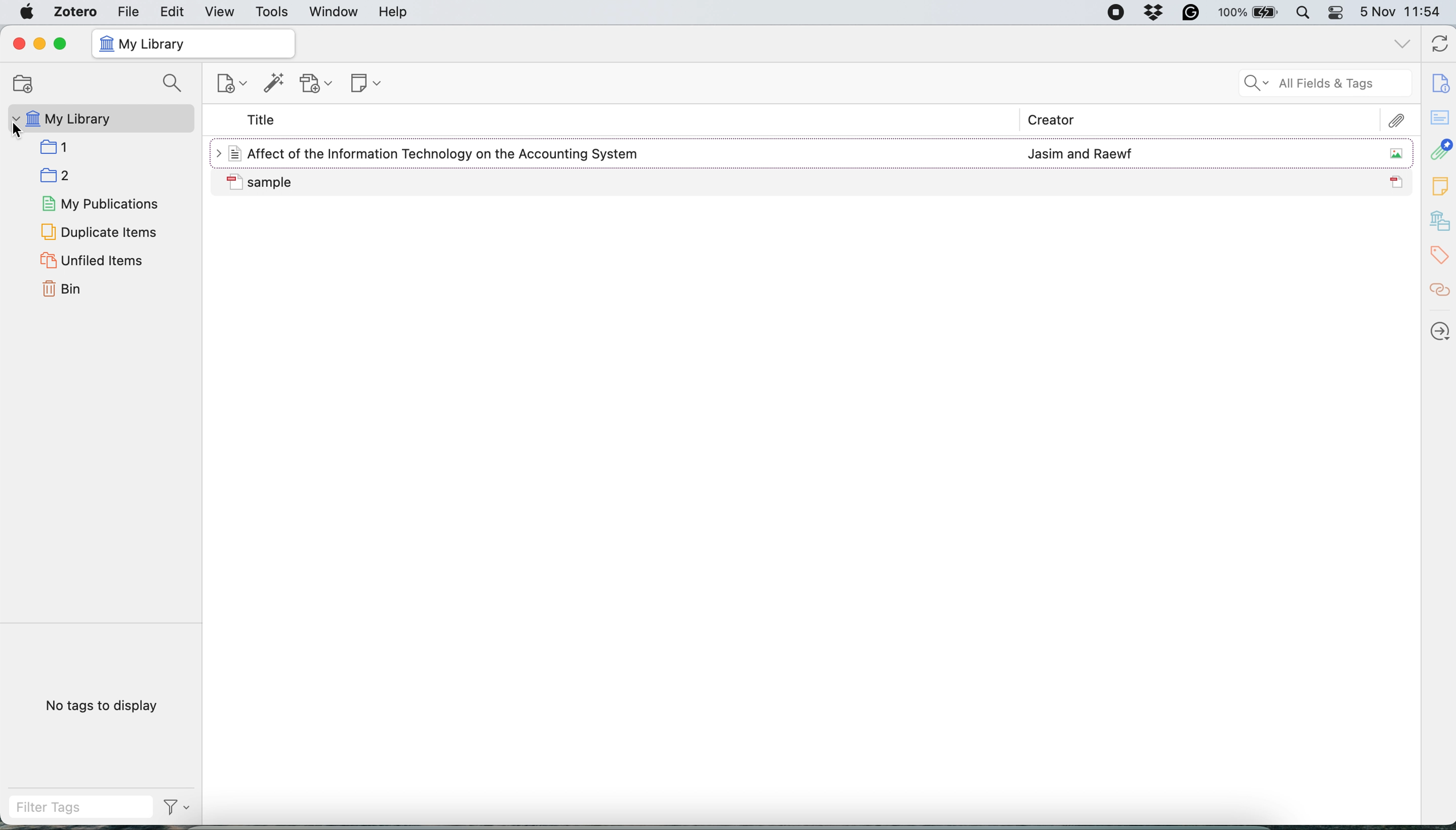 The width and height of the screenshot is (1456, 830). I want to click on new collection, so click(24, 83).